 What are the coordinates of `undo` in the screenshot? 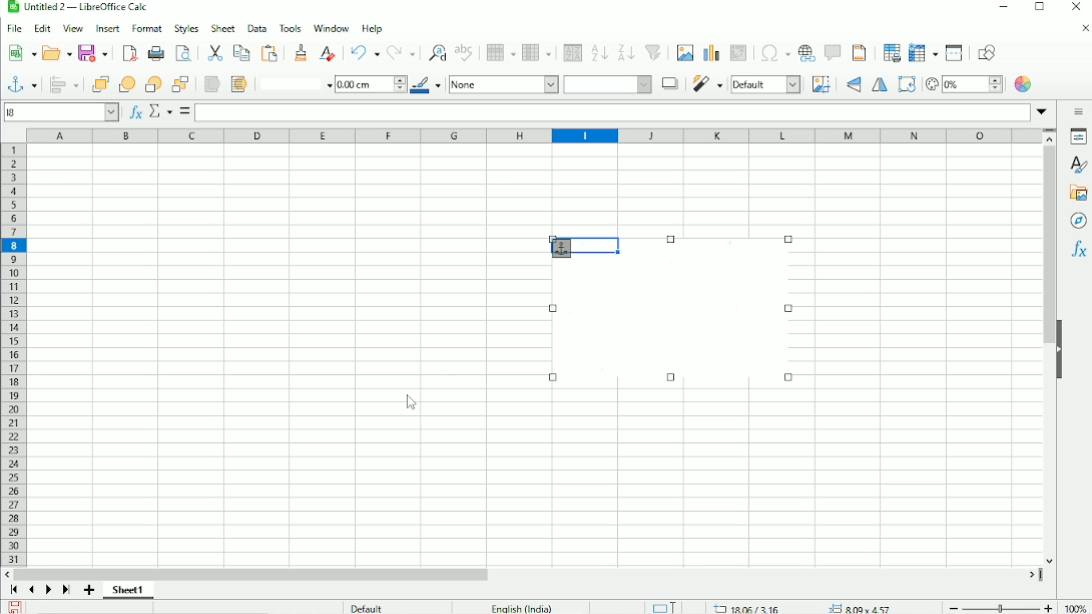 It's located at (366, 51).